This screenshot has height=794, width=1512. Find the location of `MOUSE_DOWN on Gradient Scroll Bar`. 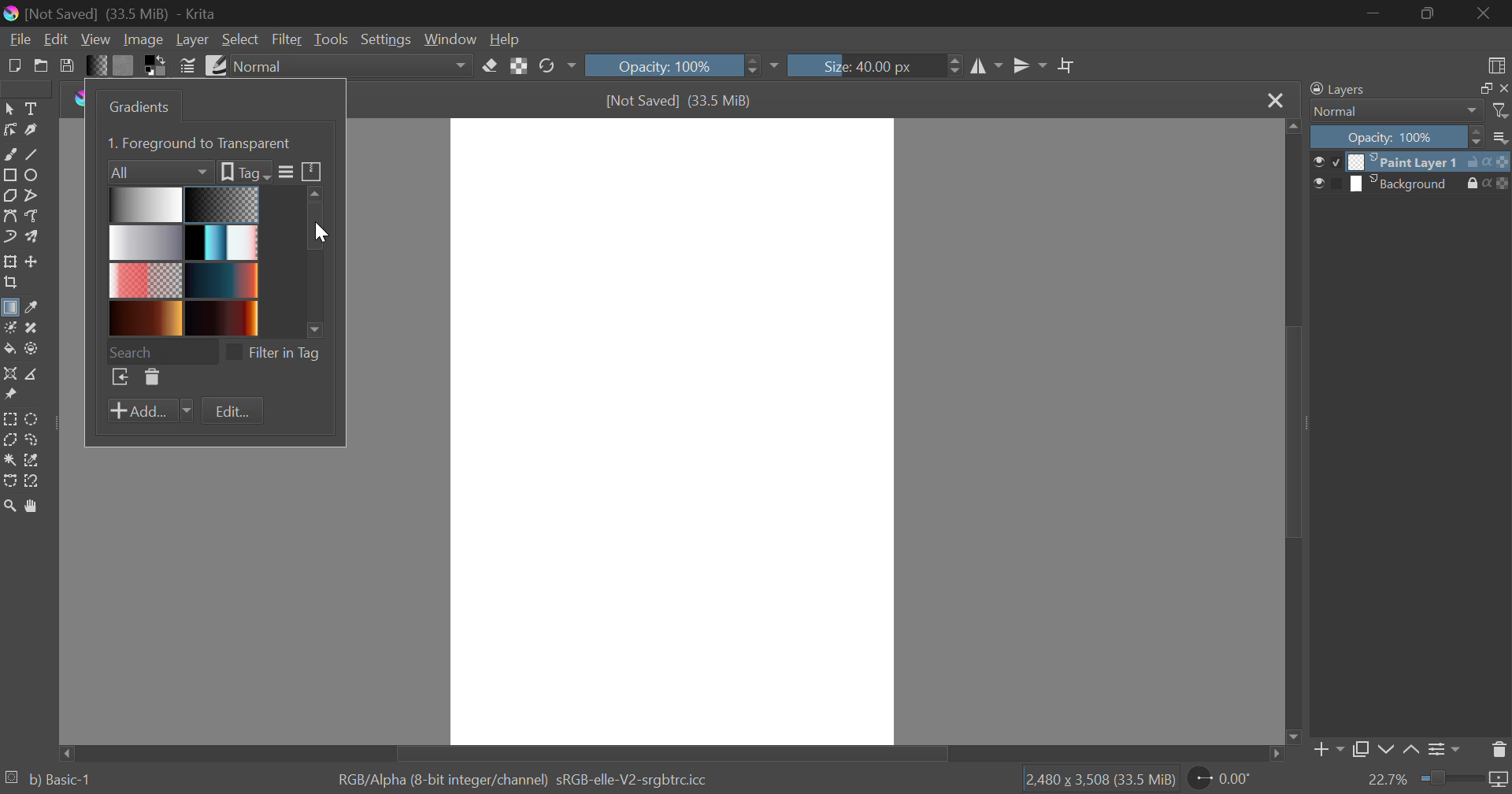

MOUSE_DOWN on Gradient Scroll Bar is located at coordinates (321, 258).